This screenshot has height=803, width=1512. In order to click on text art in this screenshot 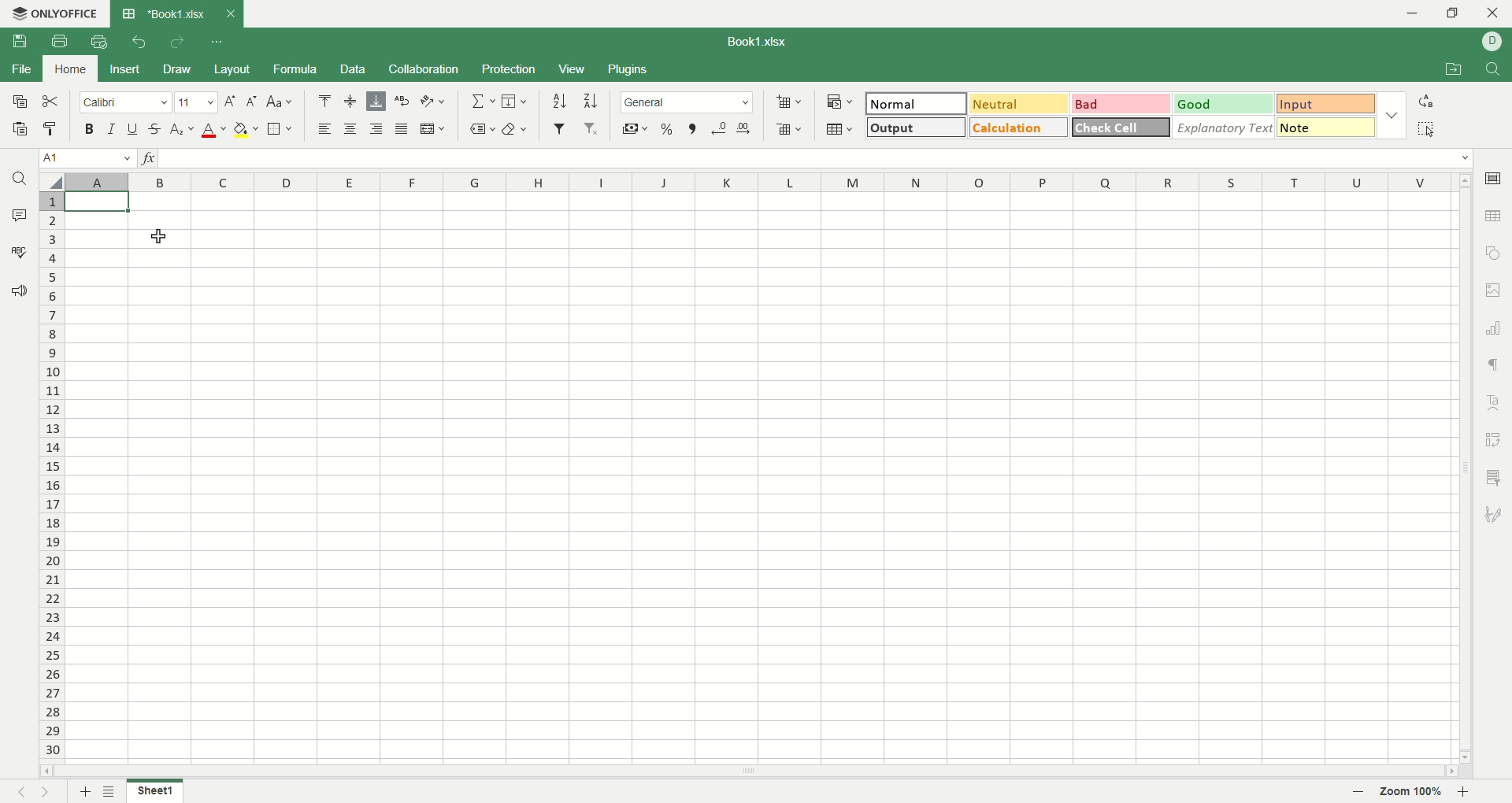, I will do `click(1496, 403)`.